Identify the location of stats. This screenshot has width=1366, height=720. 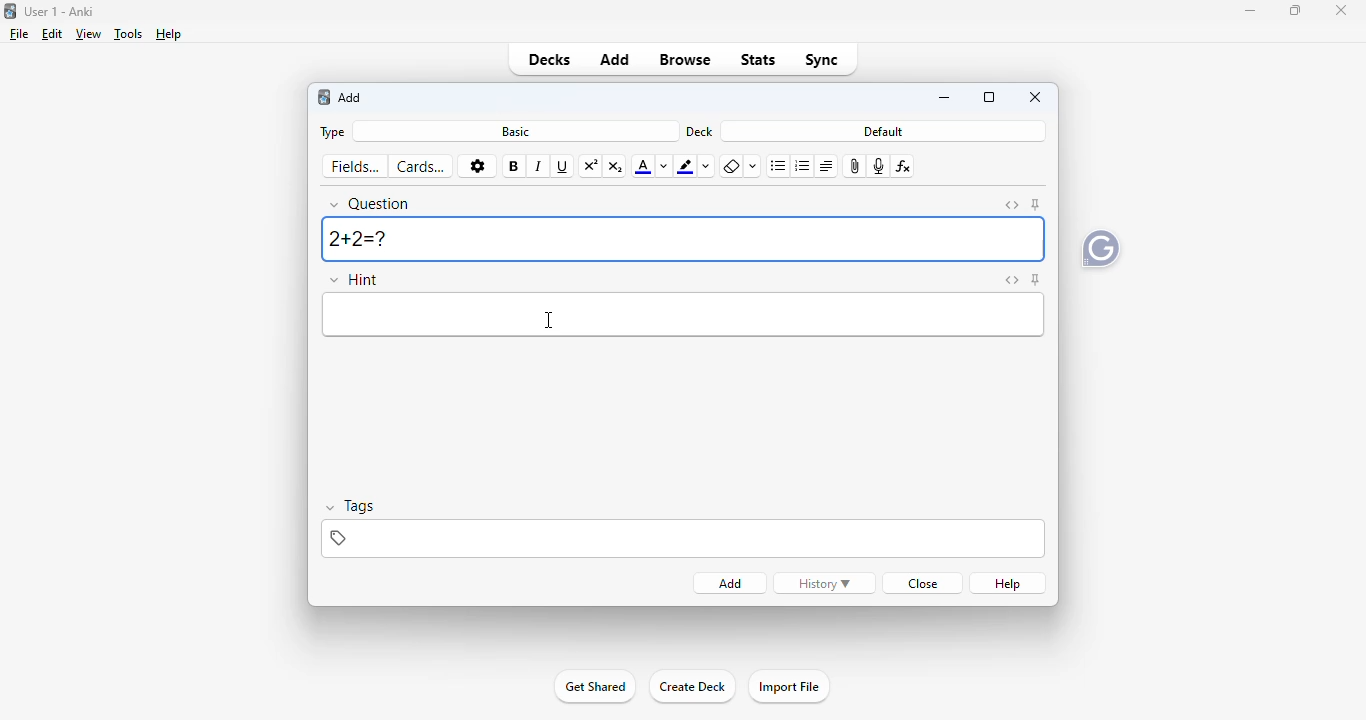
(757, 60).